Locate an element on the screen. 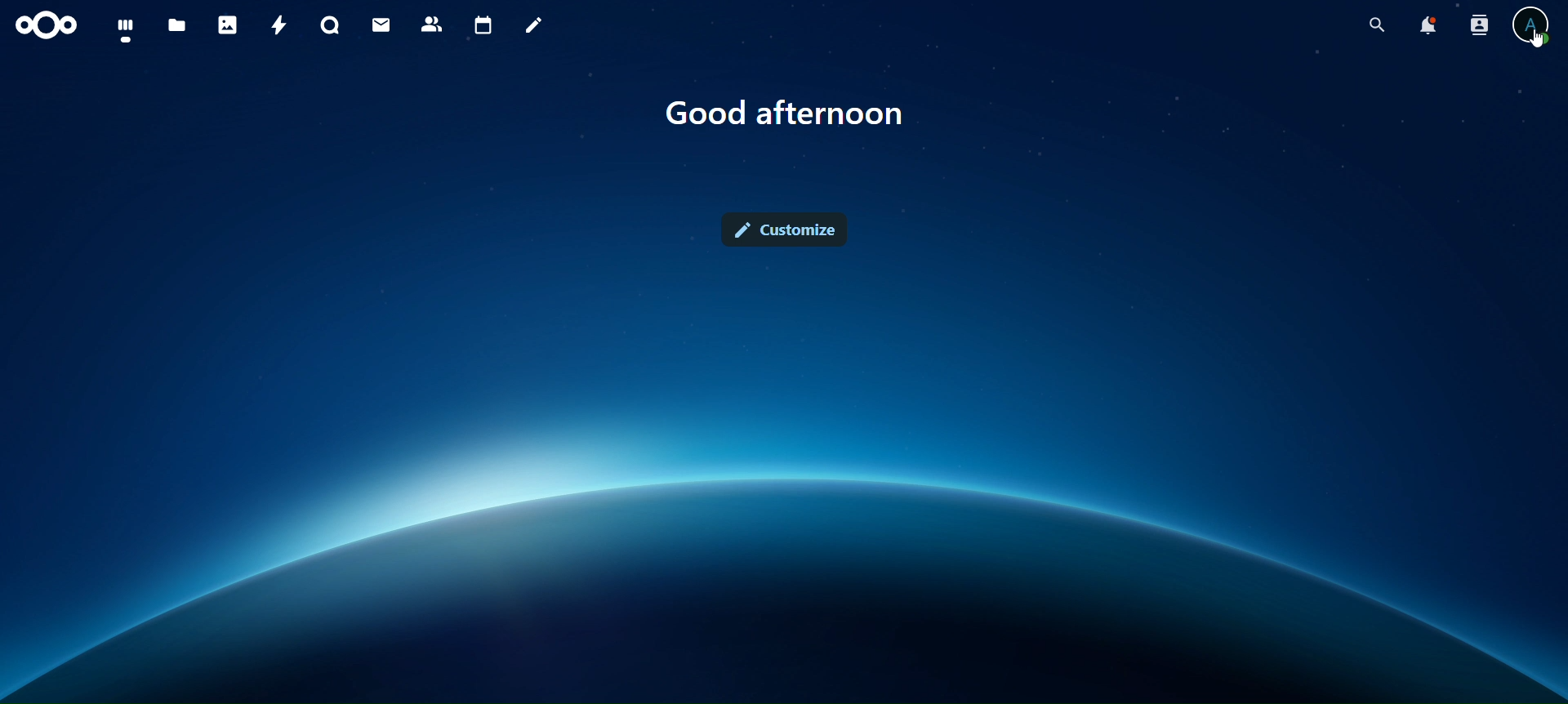 This screenshot has height=704, width=1568. search is located at coordinates (1374, 22).